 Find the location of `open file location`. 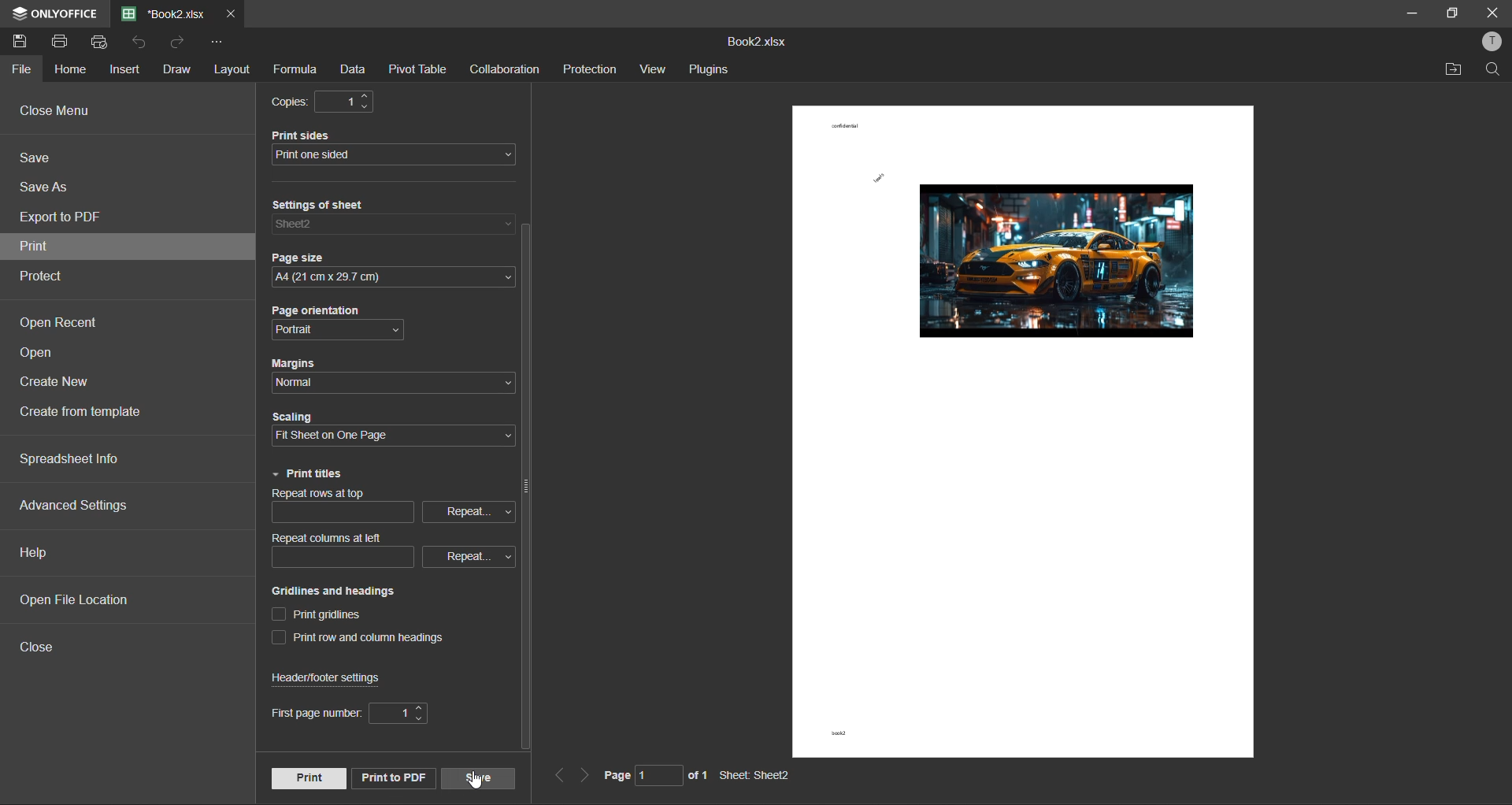

open file location is located at coordinates (69, 599).